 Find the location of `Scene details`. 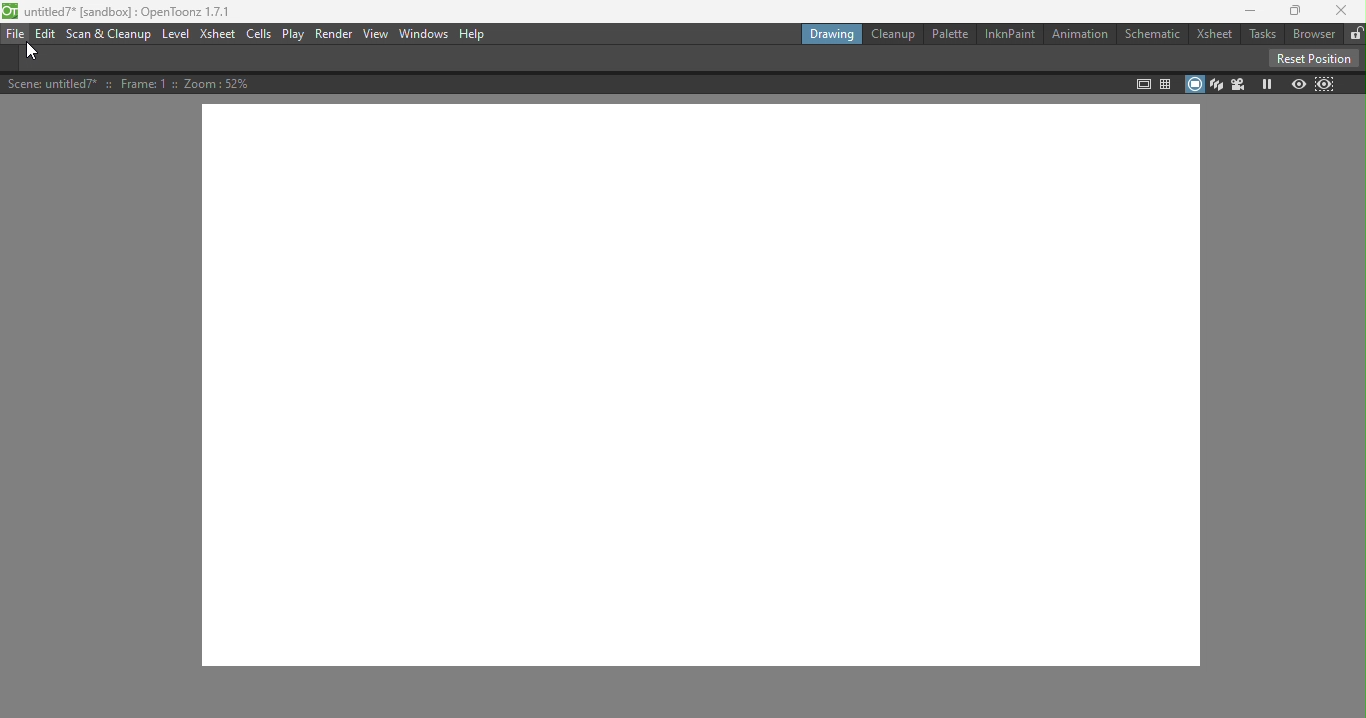

Scene details is located at coordinates (131, 83).